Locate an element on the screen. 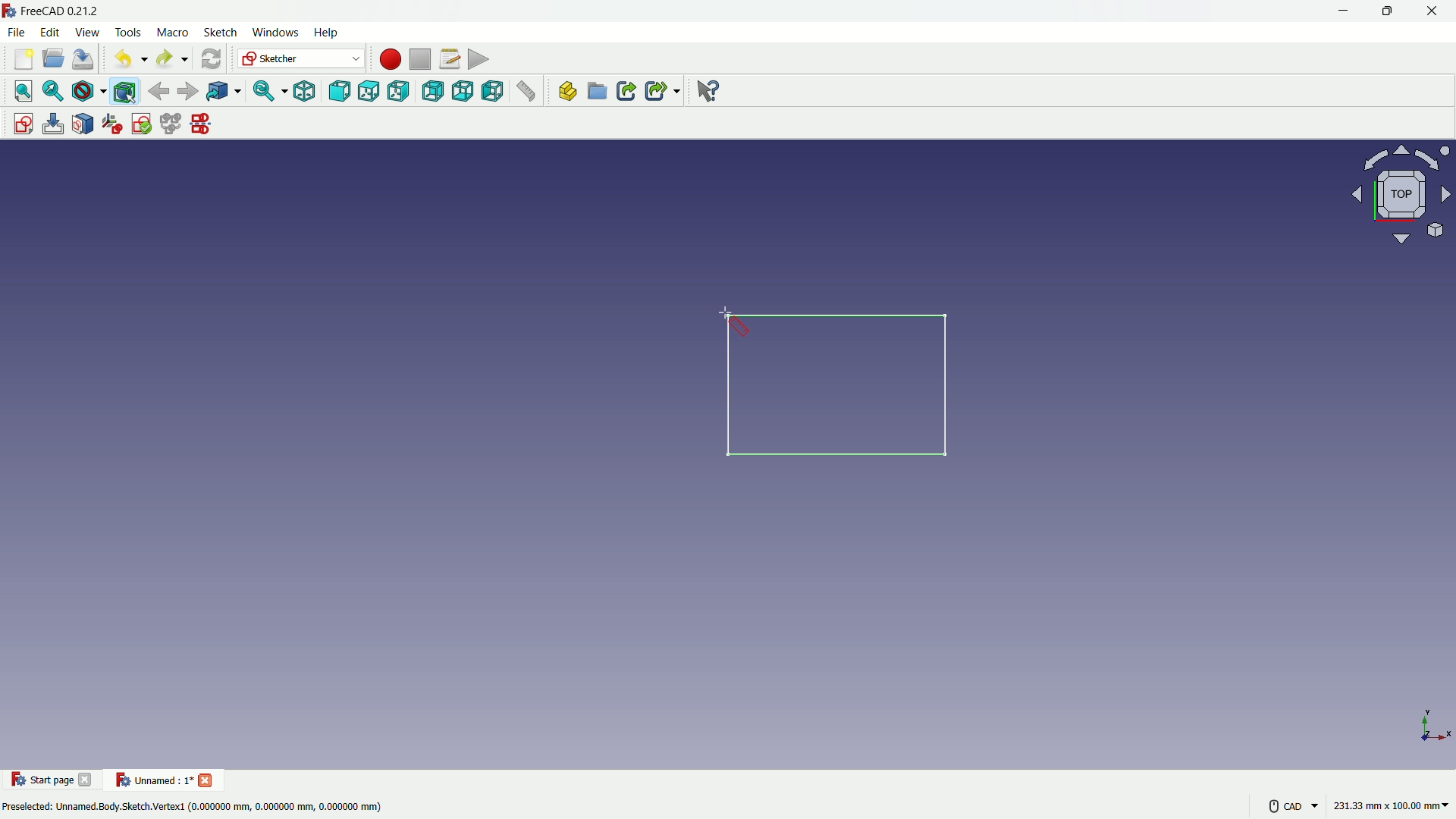 The width and height of the screenshot is (1456, 819). close project is located at coordinates (208, 779).